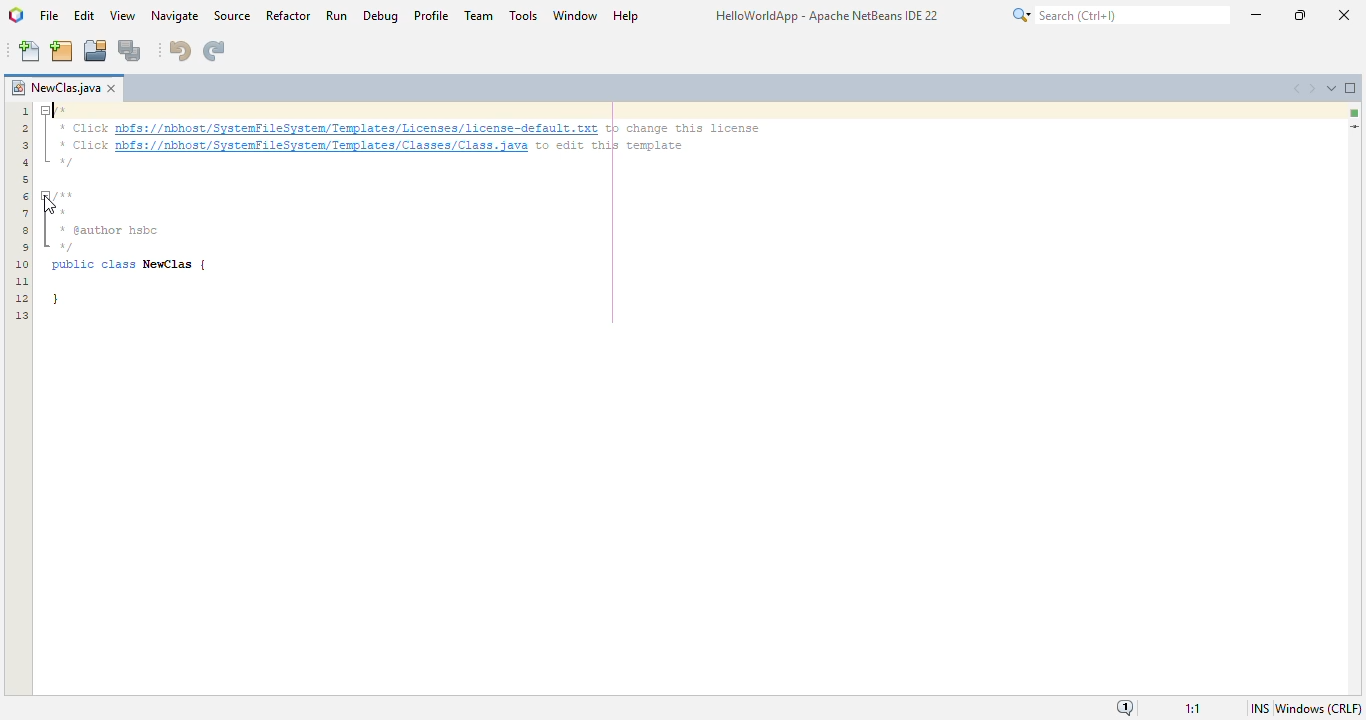 Image resolution: width=1366 pixels, height=720 pixels. Describe the element at coordinates (404, 211) in the screenshot. I see `/*
+ Click nbfs://nbhost/SystenFileSysten/Templates/Licenses/license-default txt to change this license
+ Click pbfs://nbhost/SystenfileSysten/Templates/Classes/Class. java to edit this template
“0

fun
* pauthor hsbc
“0

public class NewClas |
}` at that location.